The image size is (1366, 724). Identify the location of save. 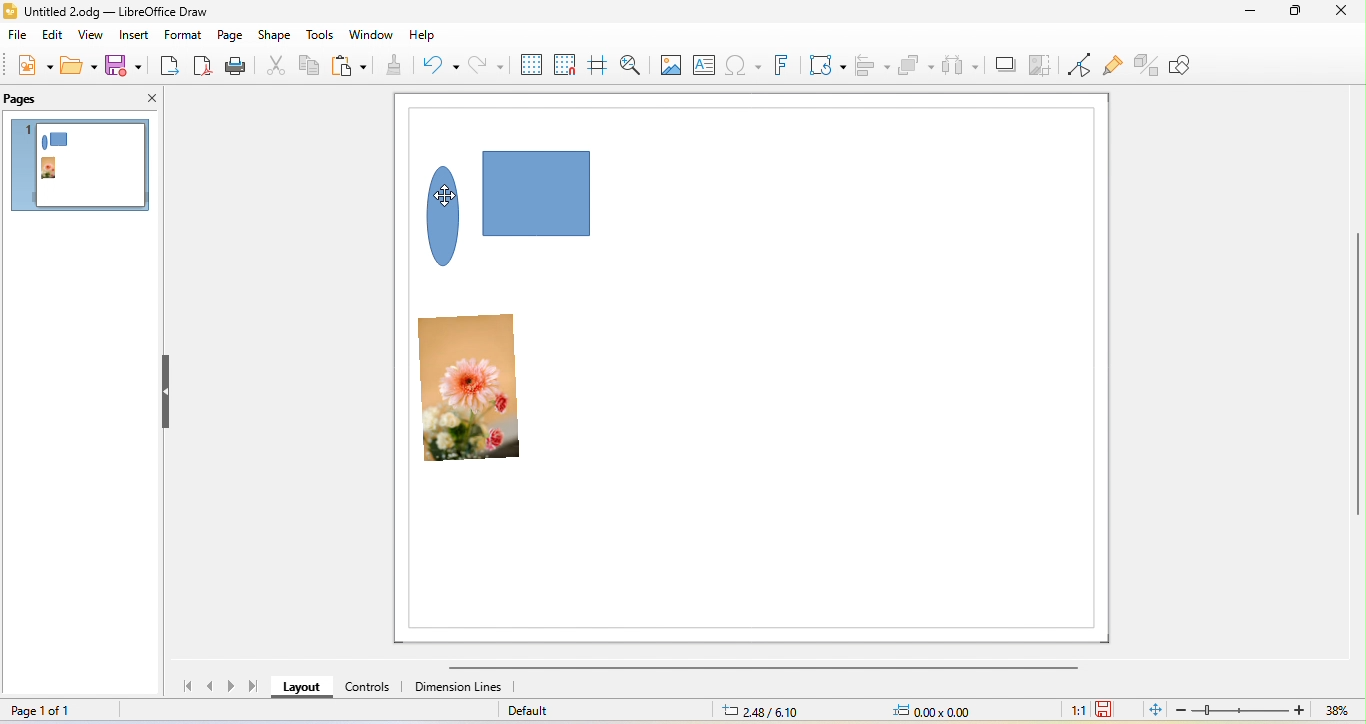
(124, 69).